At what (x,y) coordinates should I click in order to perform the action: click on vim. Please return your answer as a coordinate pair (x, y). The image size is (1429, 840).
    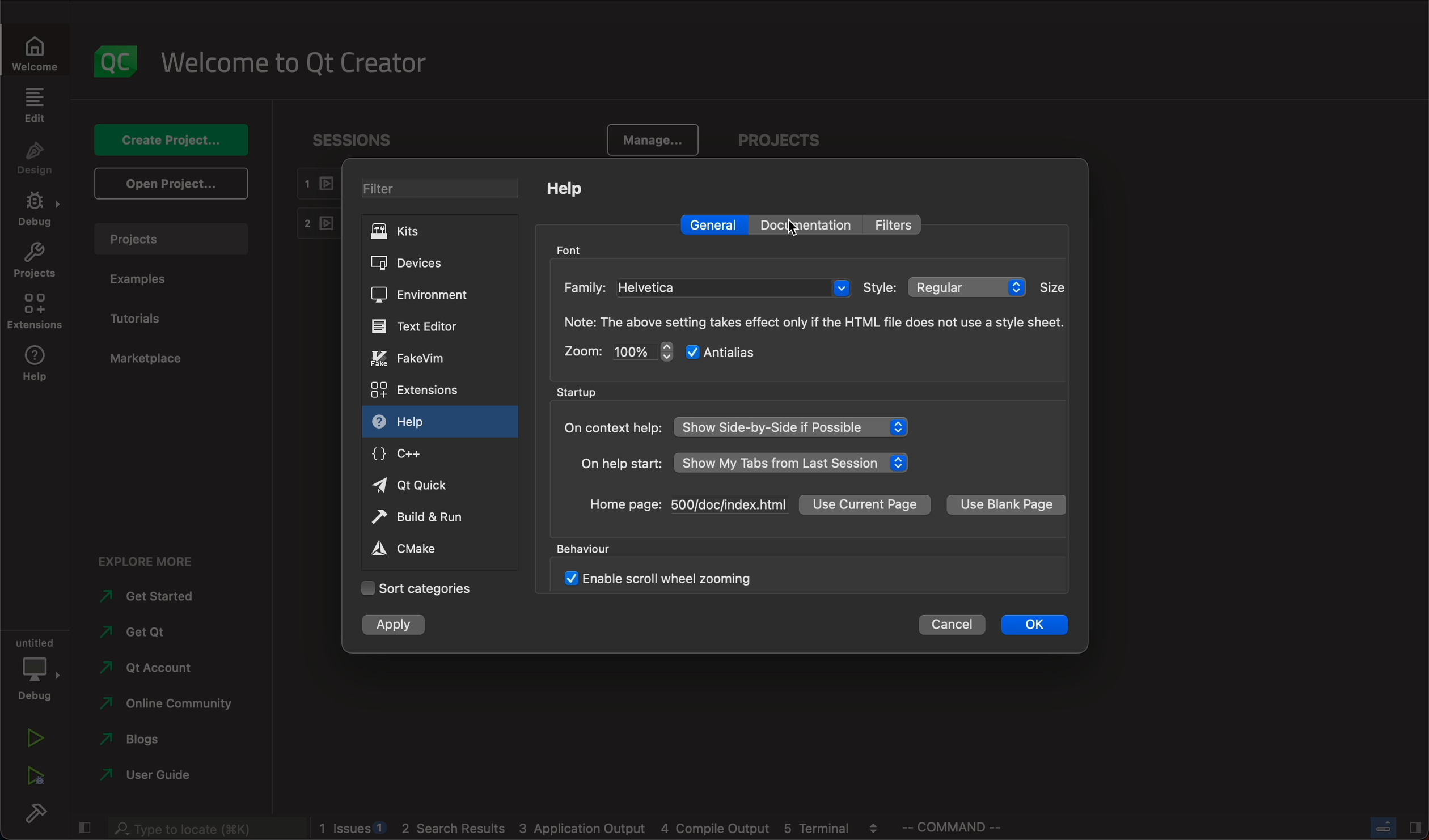
    Looking at the image, I should click on (422, 357).